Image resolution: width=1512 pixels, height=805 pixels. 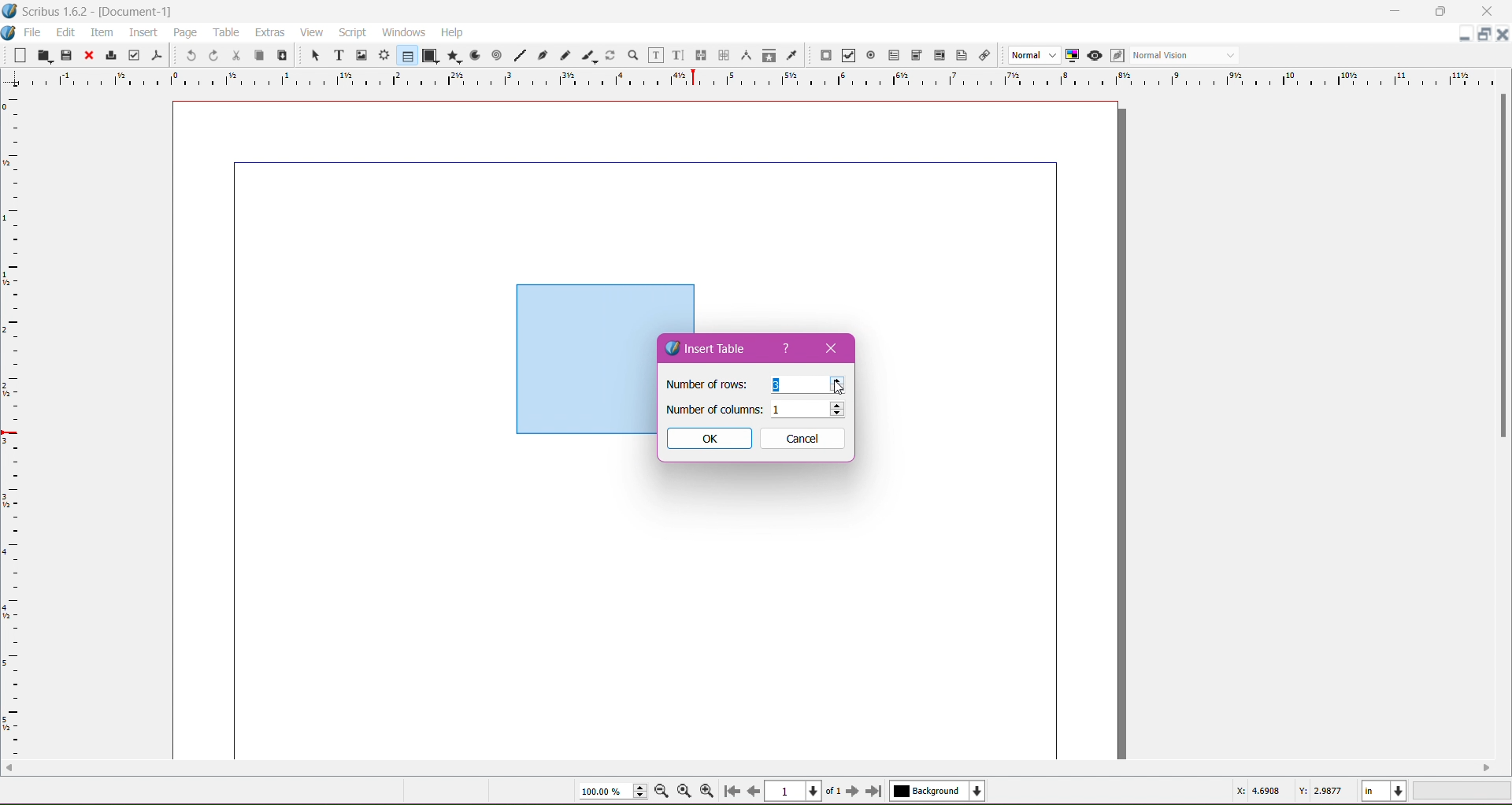 I want to click on Current Page, so click(x=795, y=789).